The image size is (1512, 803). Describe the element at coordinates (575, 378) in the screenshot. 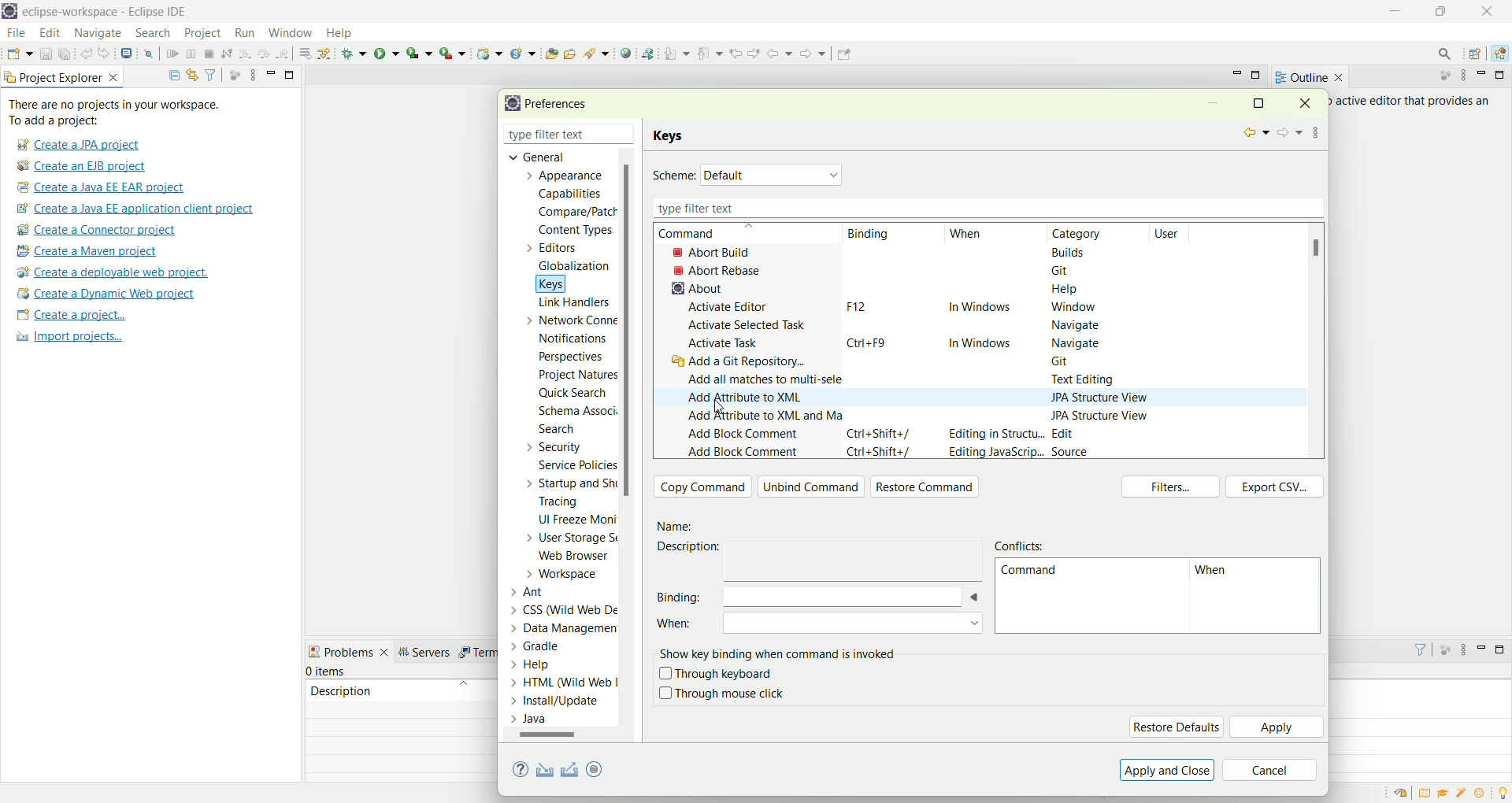

I see `project natures` at that location.